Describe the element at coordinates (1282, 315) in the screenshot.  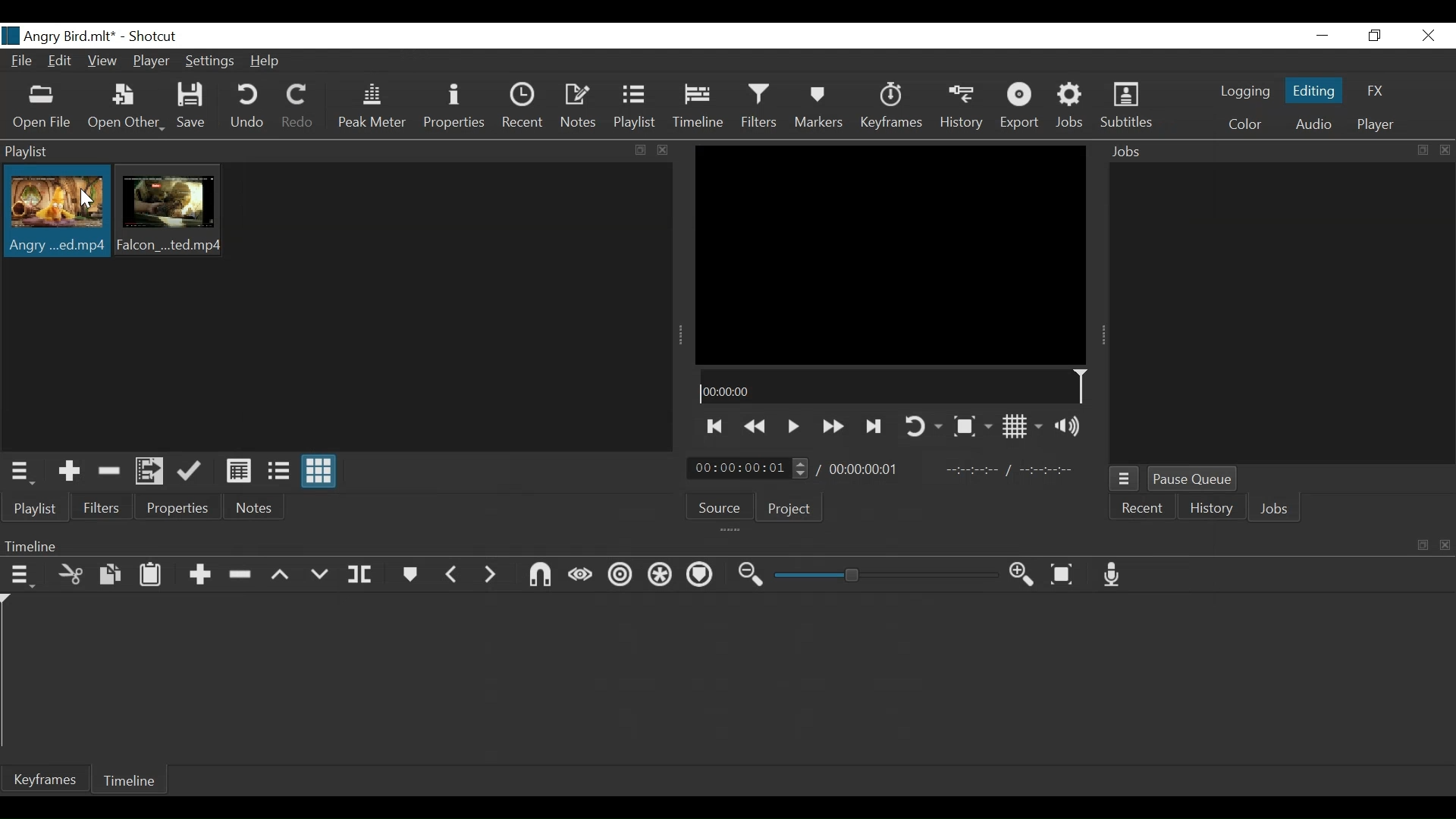
I see `Jobs Panel` at that location.